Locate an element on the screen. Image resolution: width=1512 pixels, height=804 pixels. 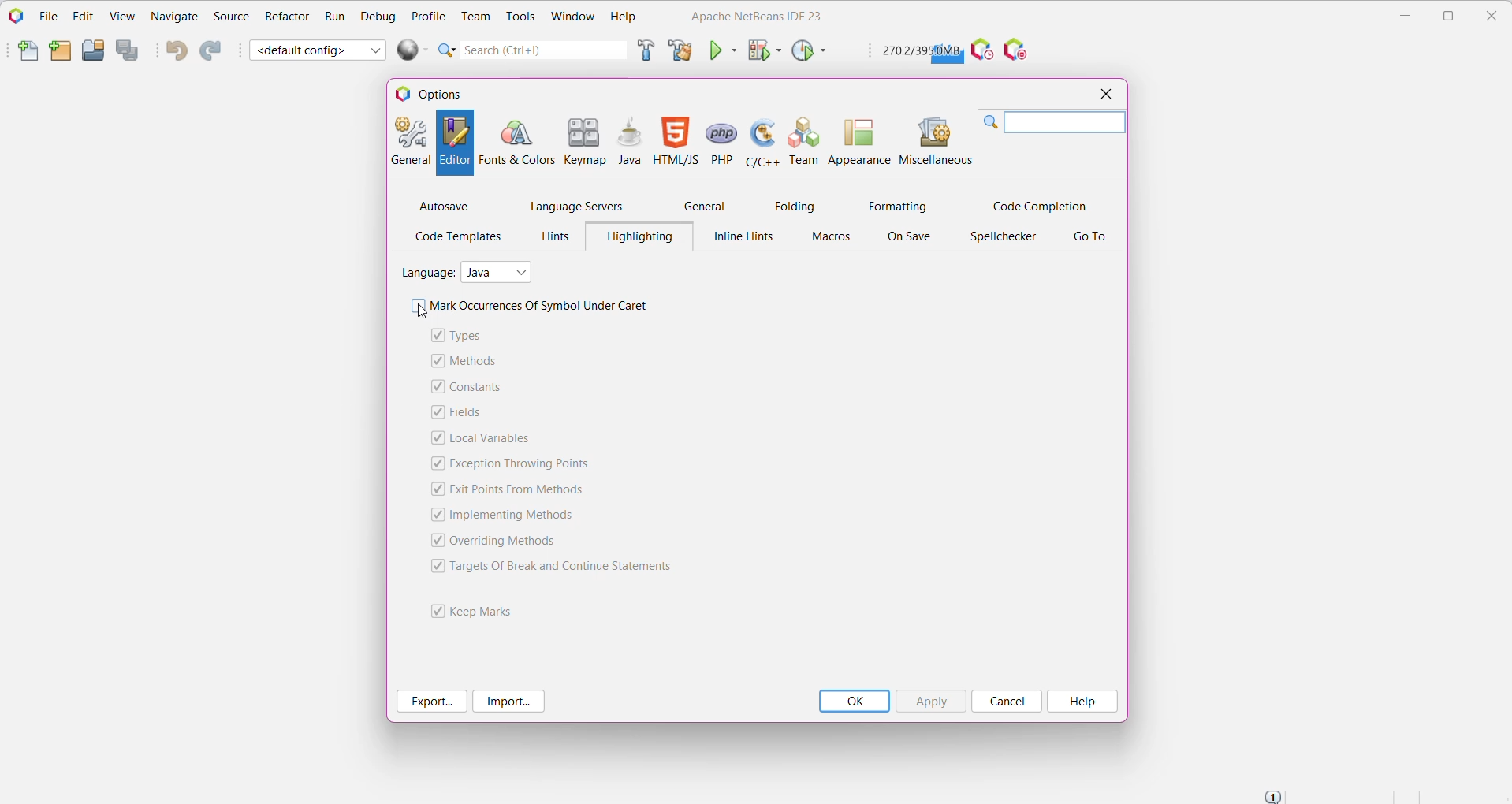
Window is located at coordinates (573, 18).